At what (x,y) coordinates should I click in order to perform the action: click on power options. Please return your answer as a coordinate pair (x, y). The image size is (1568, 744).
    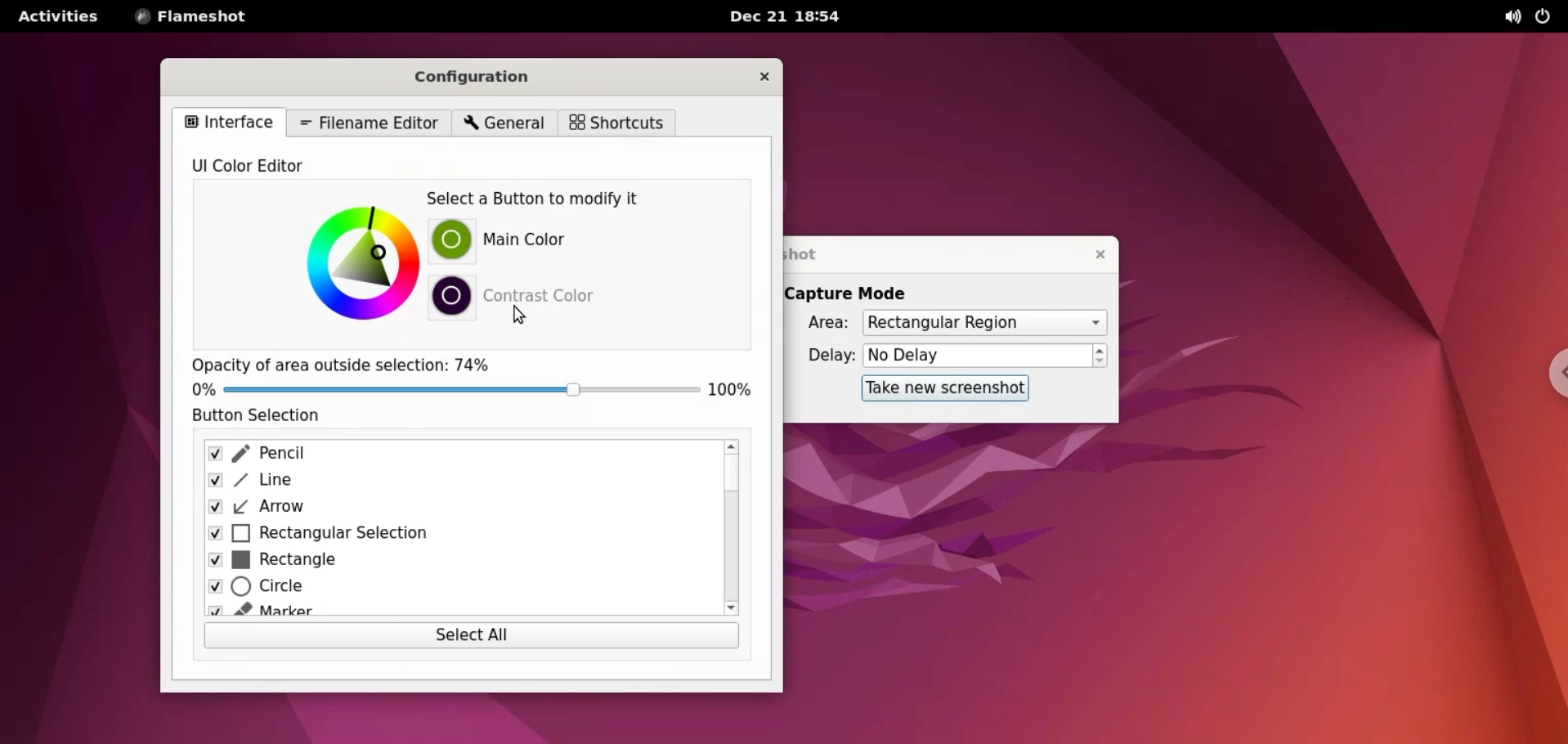
    Looking at the image, I should click on (1548, 17).